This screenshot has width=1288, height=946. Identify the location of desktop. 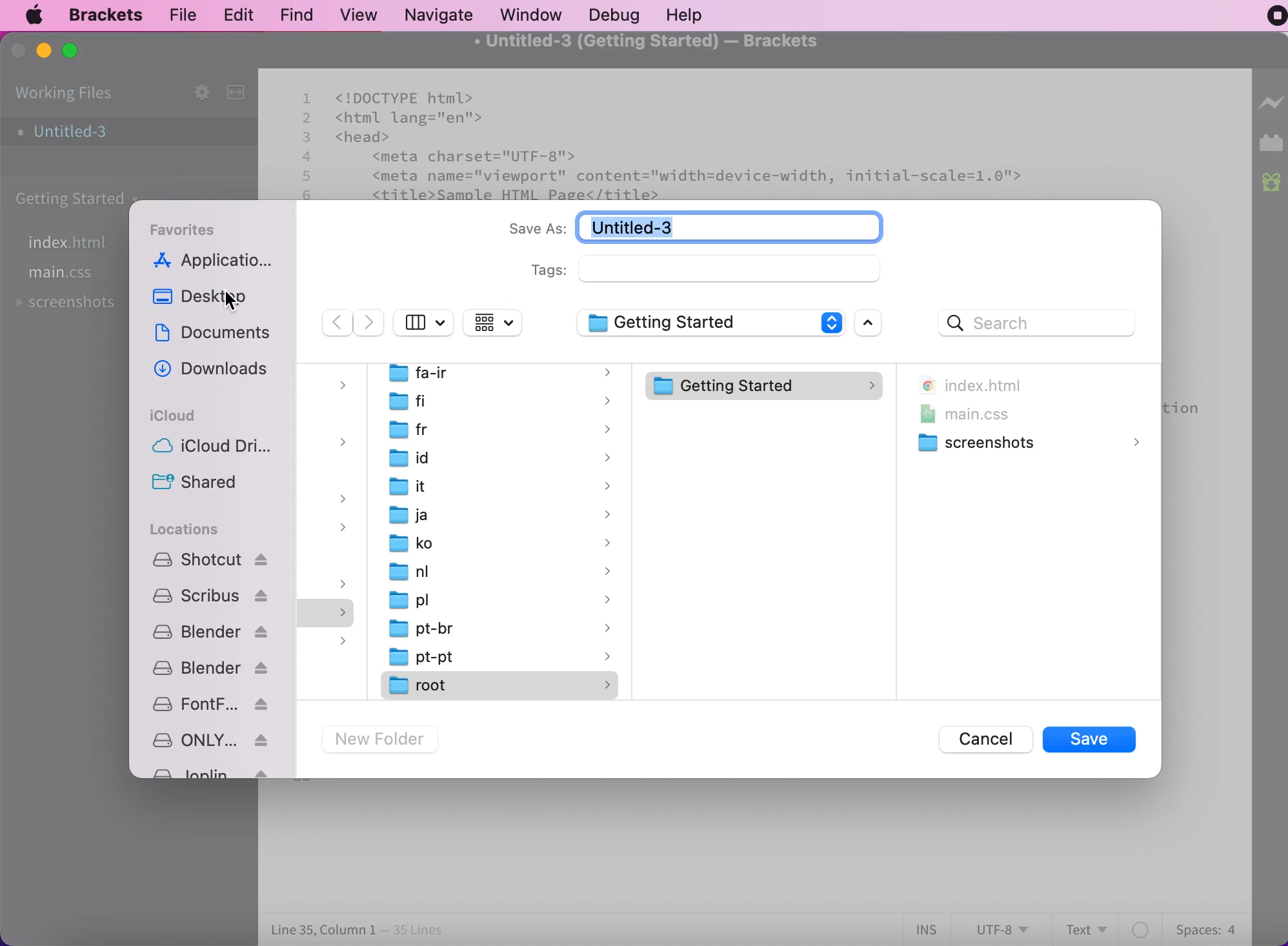
(208, 297).